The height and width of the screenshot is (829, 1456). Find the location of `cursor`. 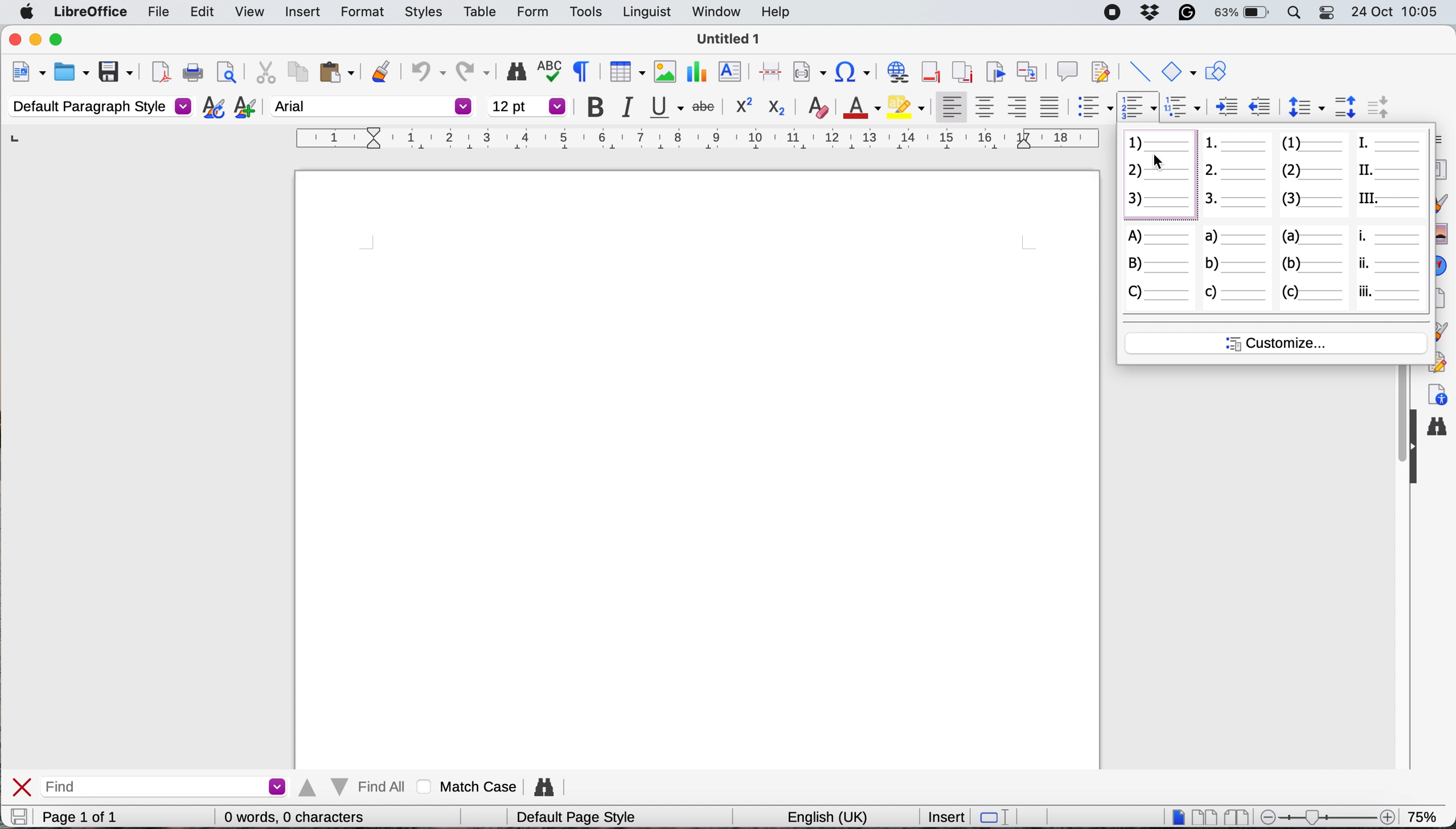

cursor is located at coordinates (1160, 161).